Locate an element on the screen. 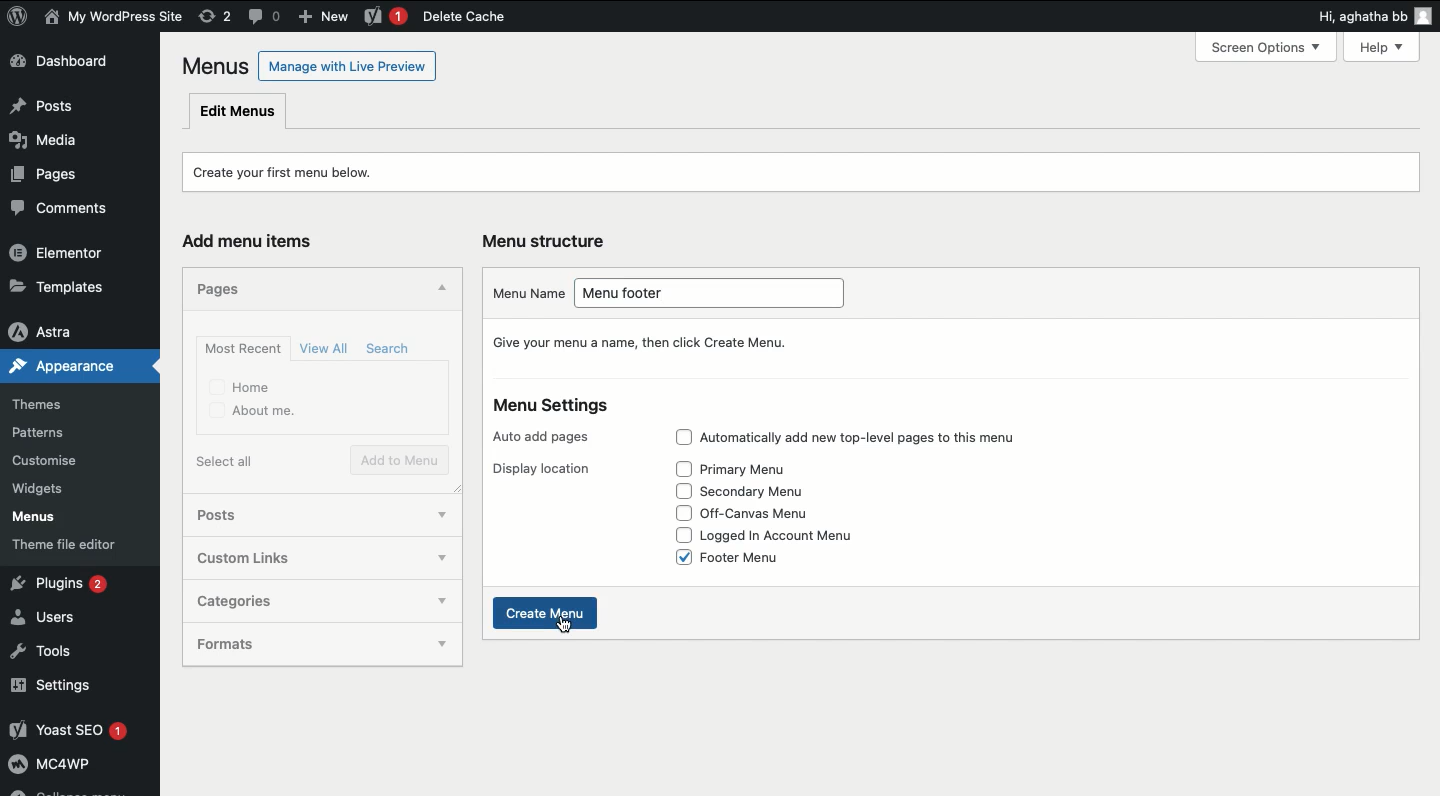 The height and width of the screenshot is (796, 1440). New is located at coordinates (327, 18).